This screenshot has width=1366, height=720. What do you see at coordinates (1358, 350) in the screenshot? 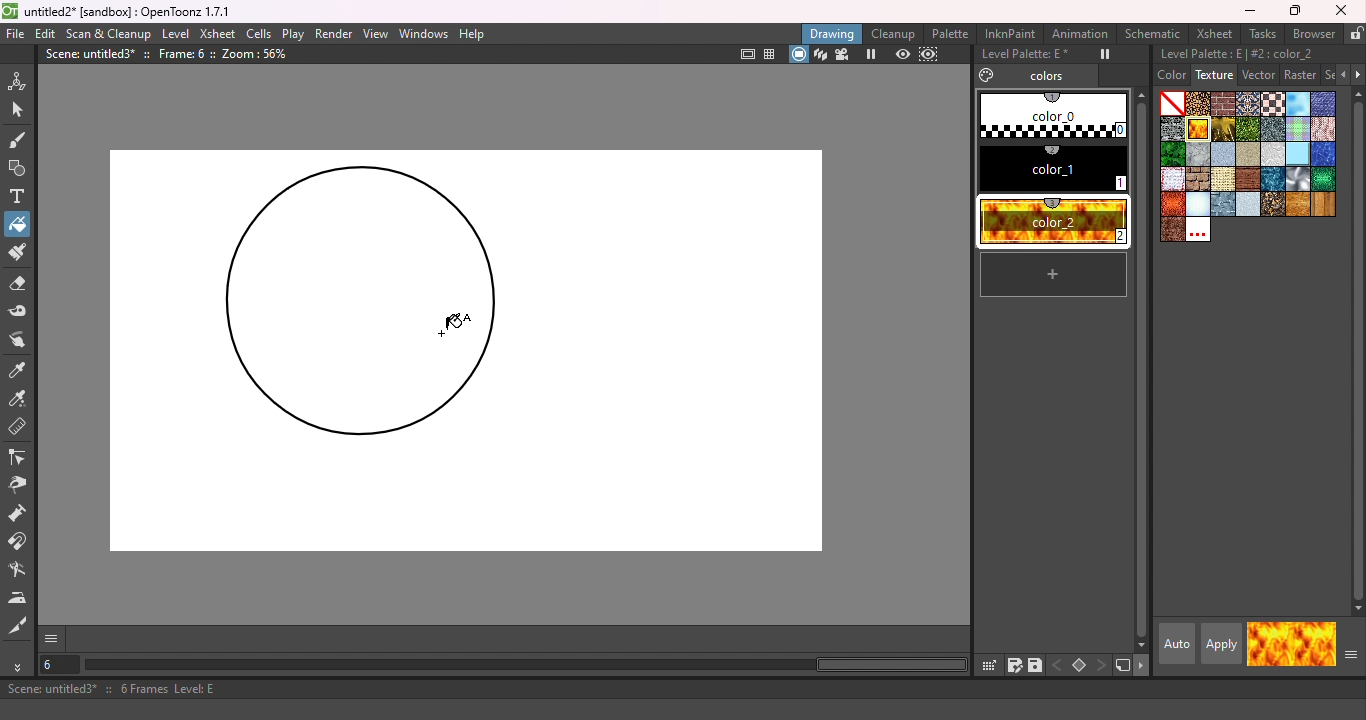
I see `vertical scroll bar` at bounding box center [1358, 350].